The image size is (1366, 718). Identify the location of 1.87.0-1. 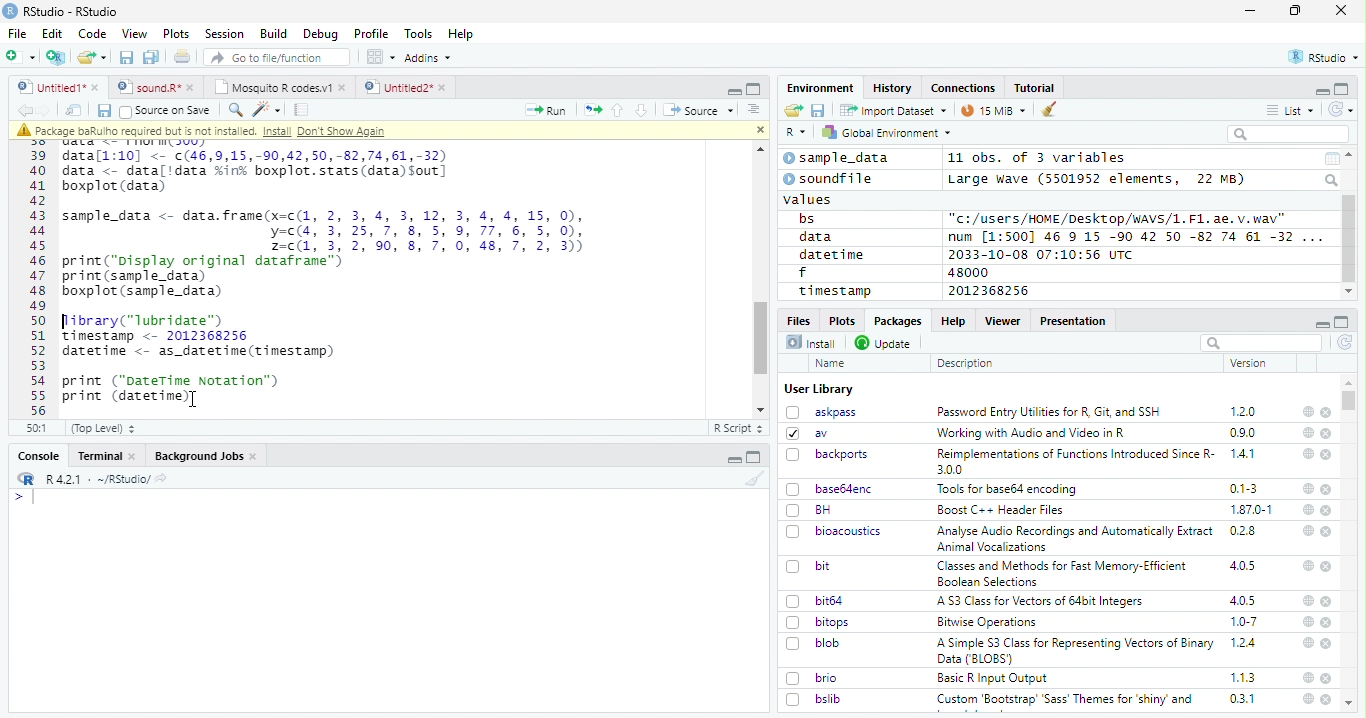
(1251, 510).